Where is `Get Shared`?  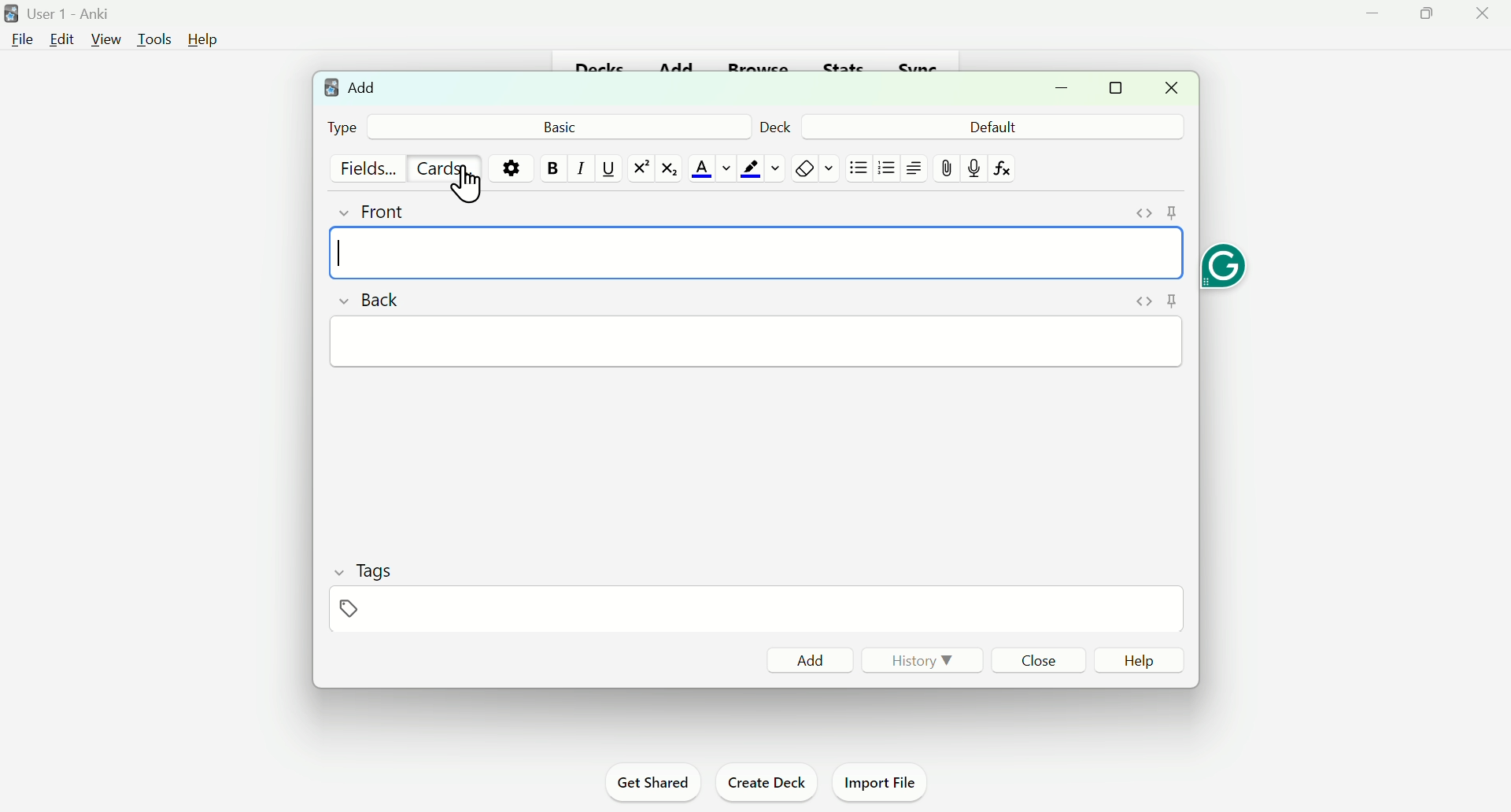 Get Shared is located at coordinates (654, 784).